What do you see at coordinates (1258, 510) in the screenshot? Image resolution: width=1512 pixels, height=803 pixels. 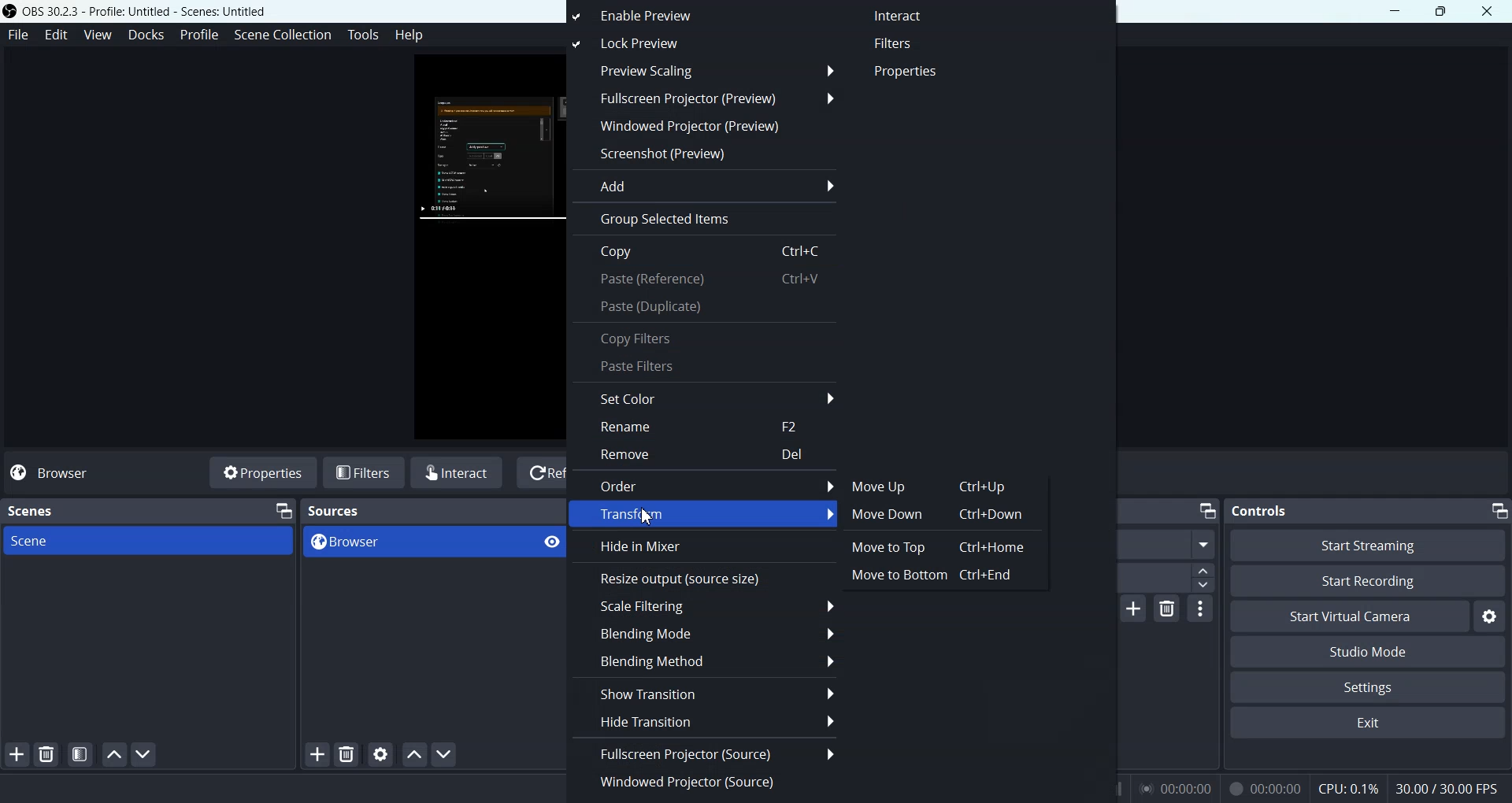 I see `Controls` at bounding box center [1258, 510].